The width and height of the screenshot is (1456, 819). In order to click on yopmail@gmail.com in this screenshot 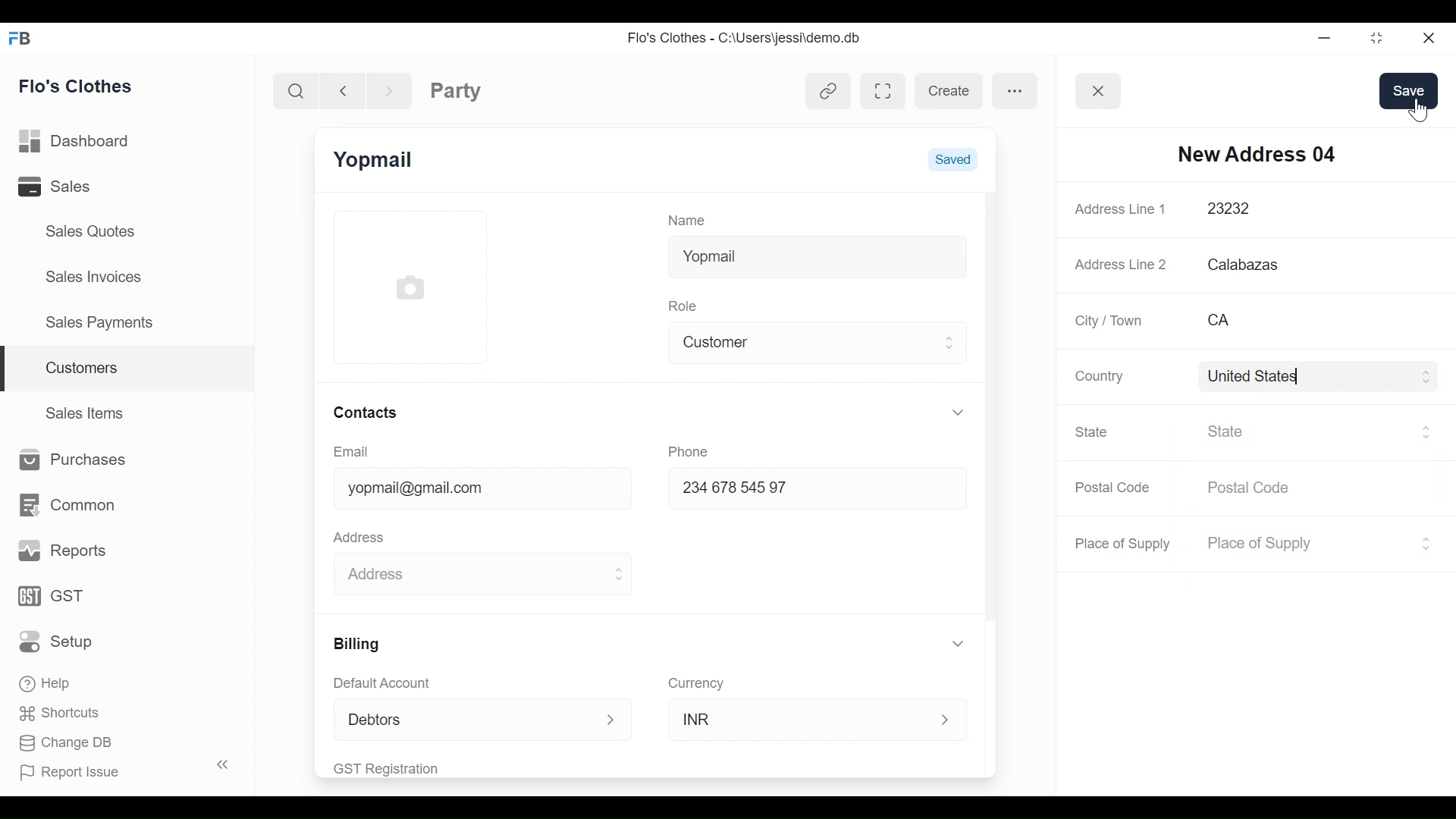, I will do `click(469, 490)`.